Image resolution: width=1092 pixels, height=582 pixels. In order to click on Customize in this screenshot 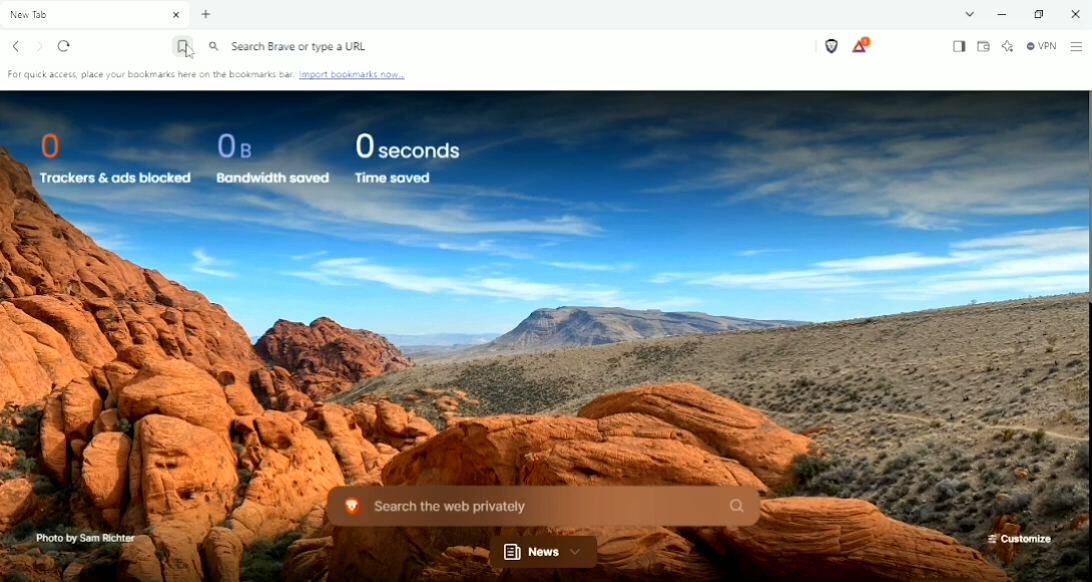, I will do `click(1019, 539)`.